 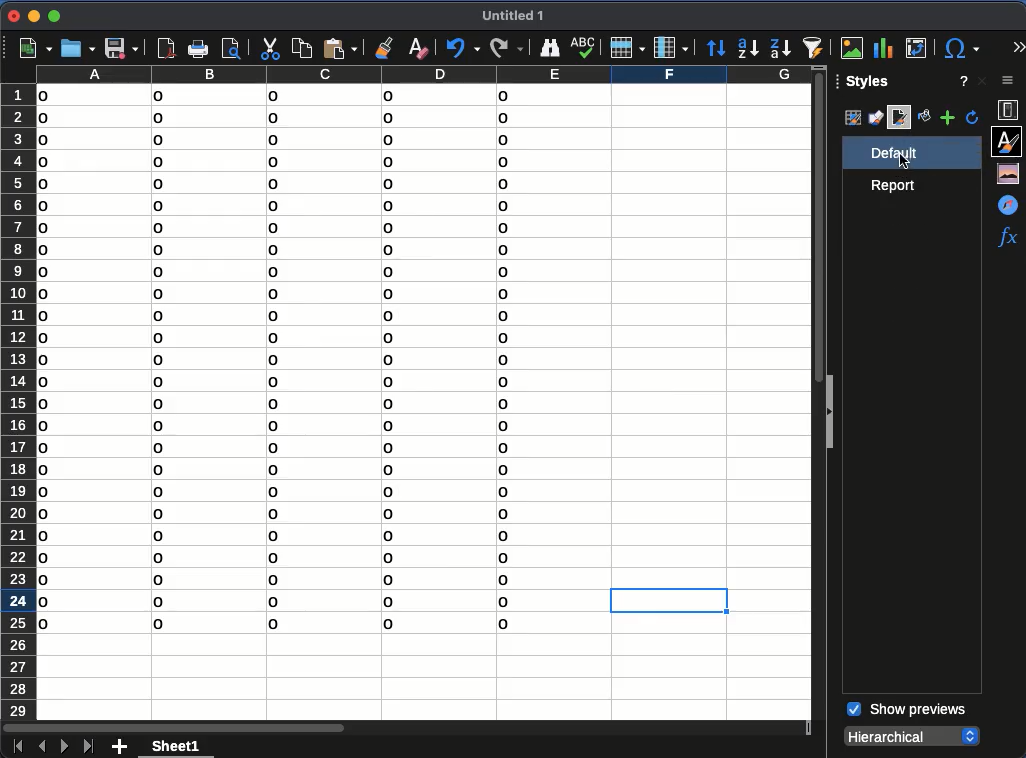 What do you see at coordinates (121, 747) in the screenshot?
I see `add` at bounding box center [121, 747].